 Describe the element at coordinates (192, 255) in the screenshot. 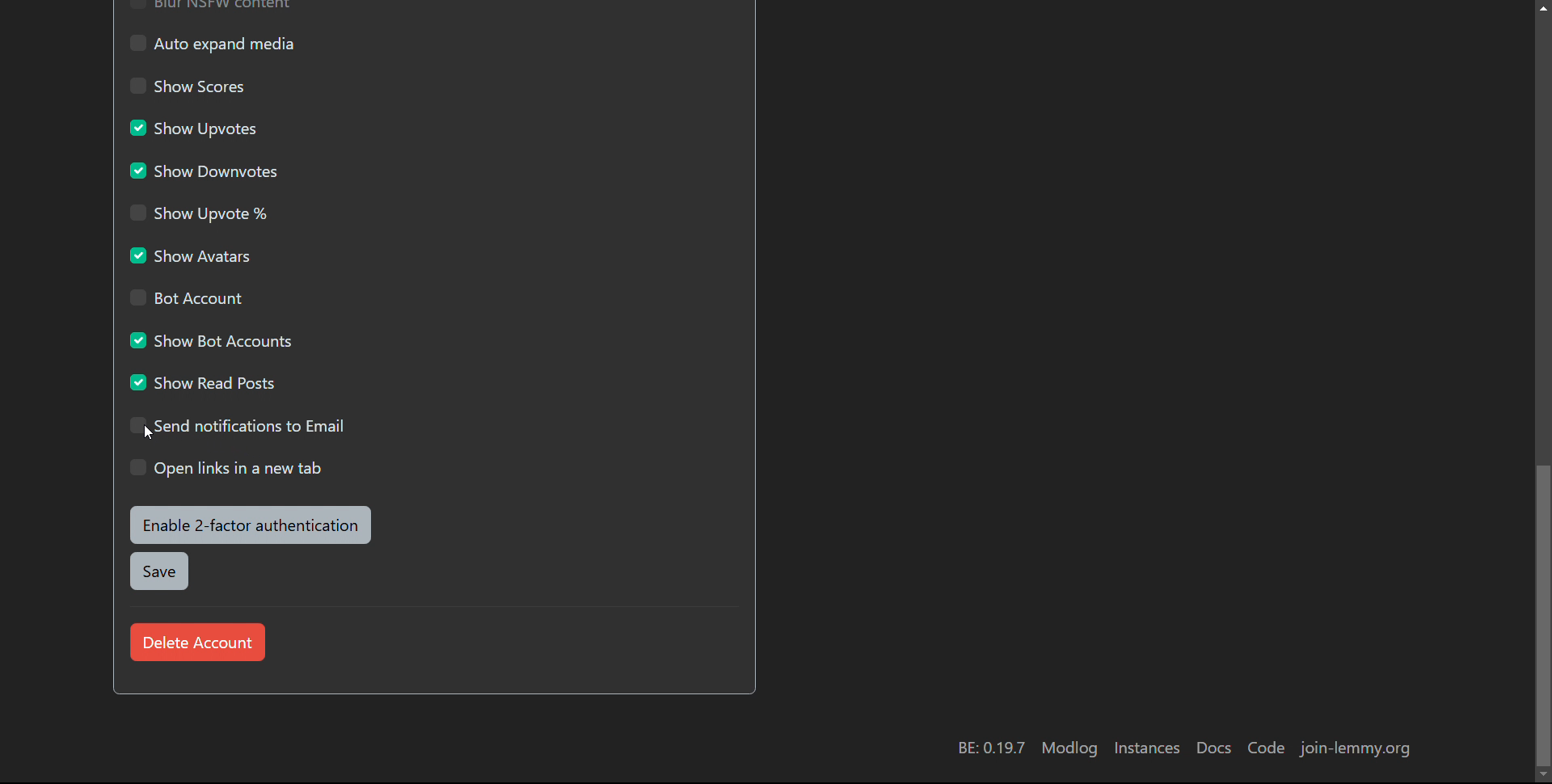

I see `show avatars` at that location.